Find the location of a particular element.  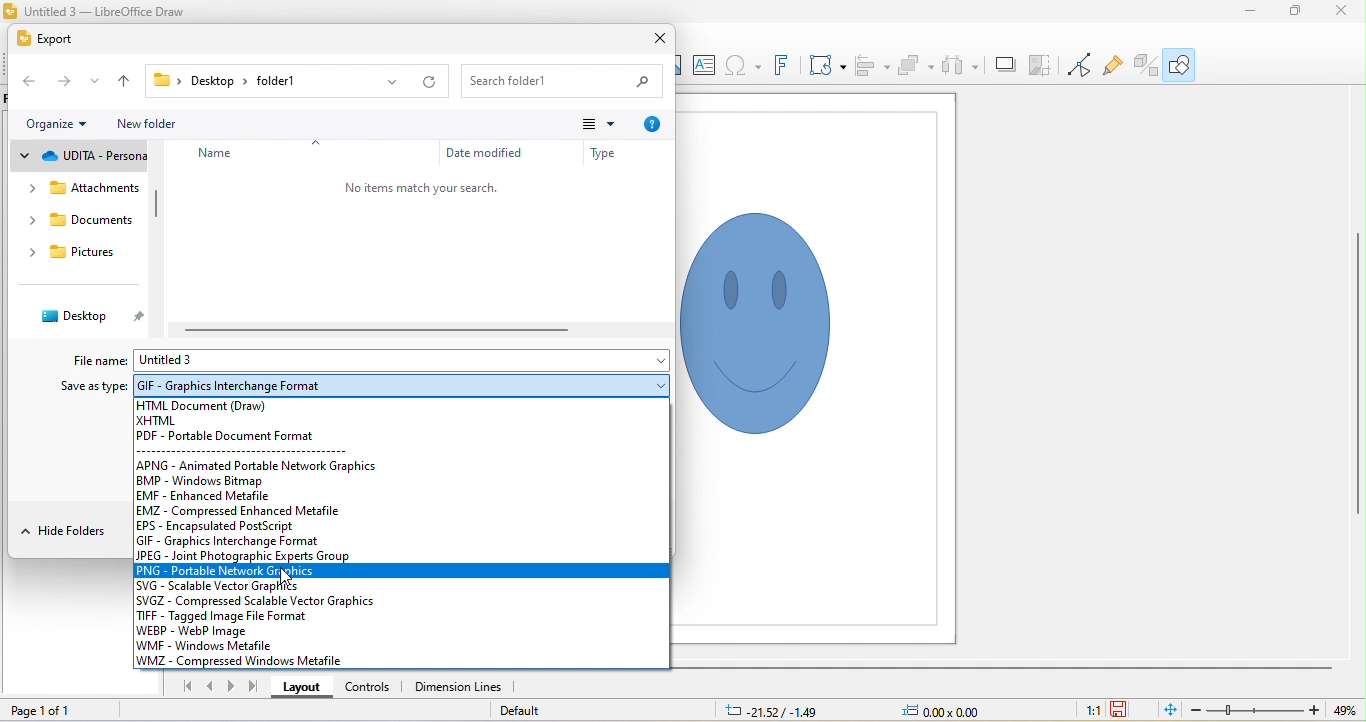

close is located at coordinates (1341, 15).